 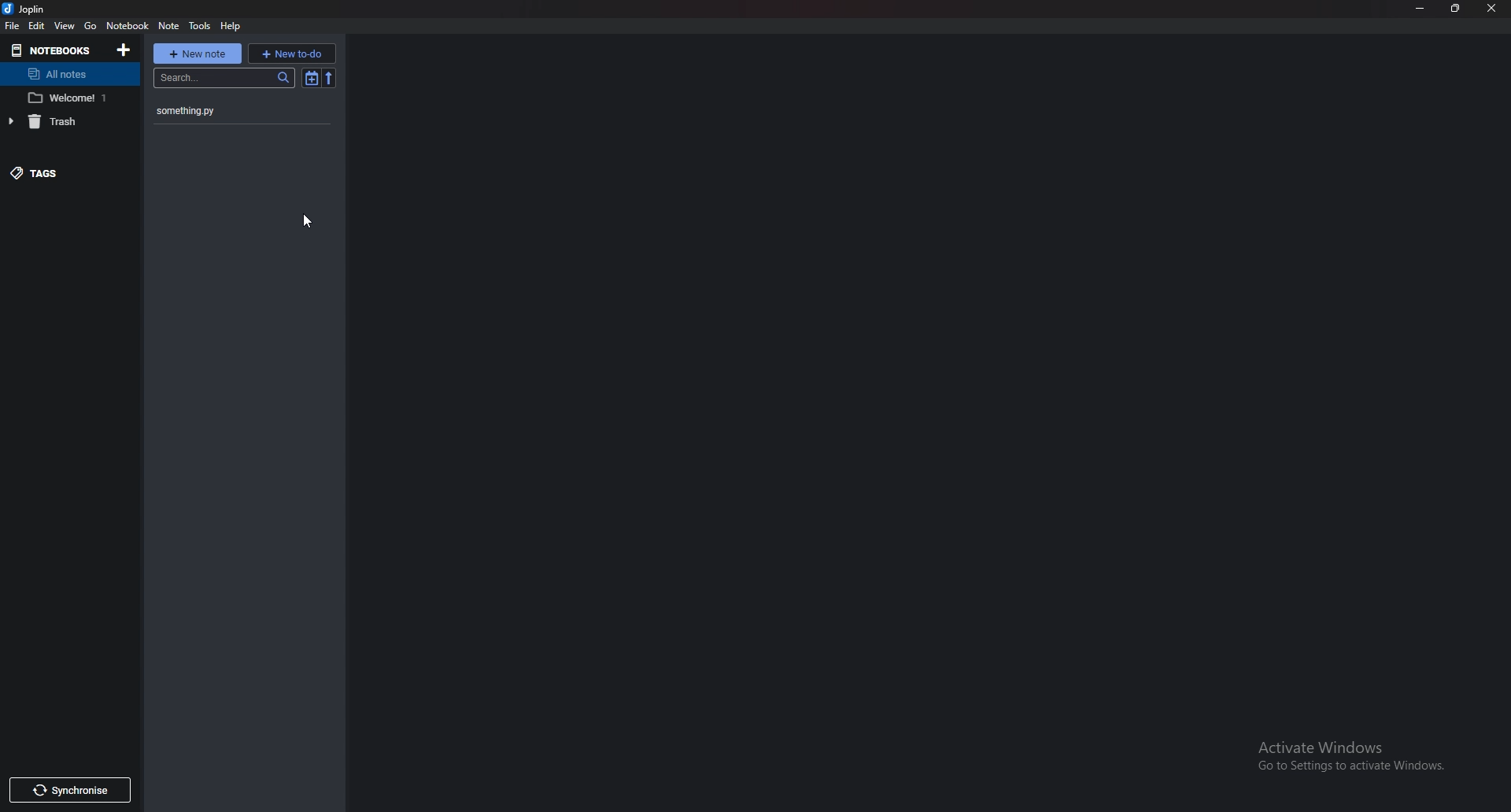 What do you see at coordinates (46, 50) in the screenshot?
I see `Notebooks` at bounding box center [46, 50].